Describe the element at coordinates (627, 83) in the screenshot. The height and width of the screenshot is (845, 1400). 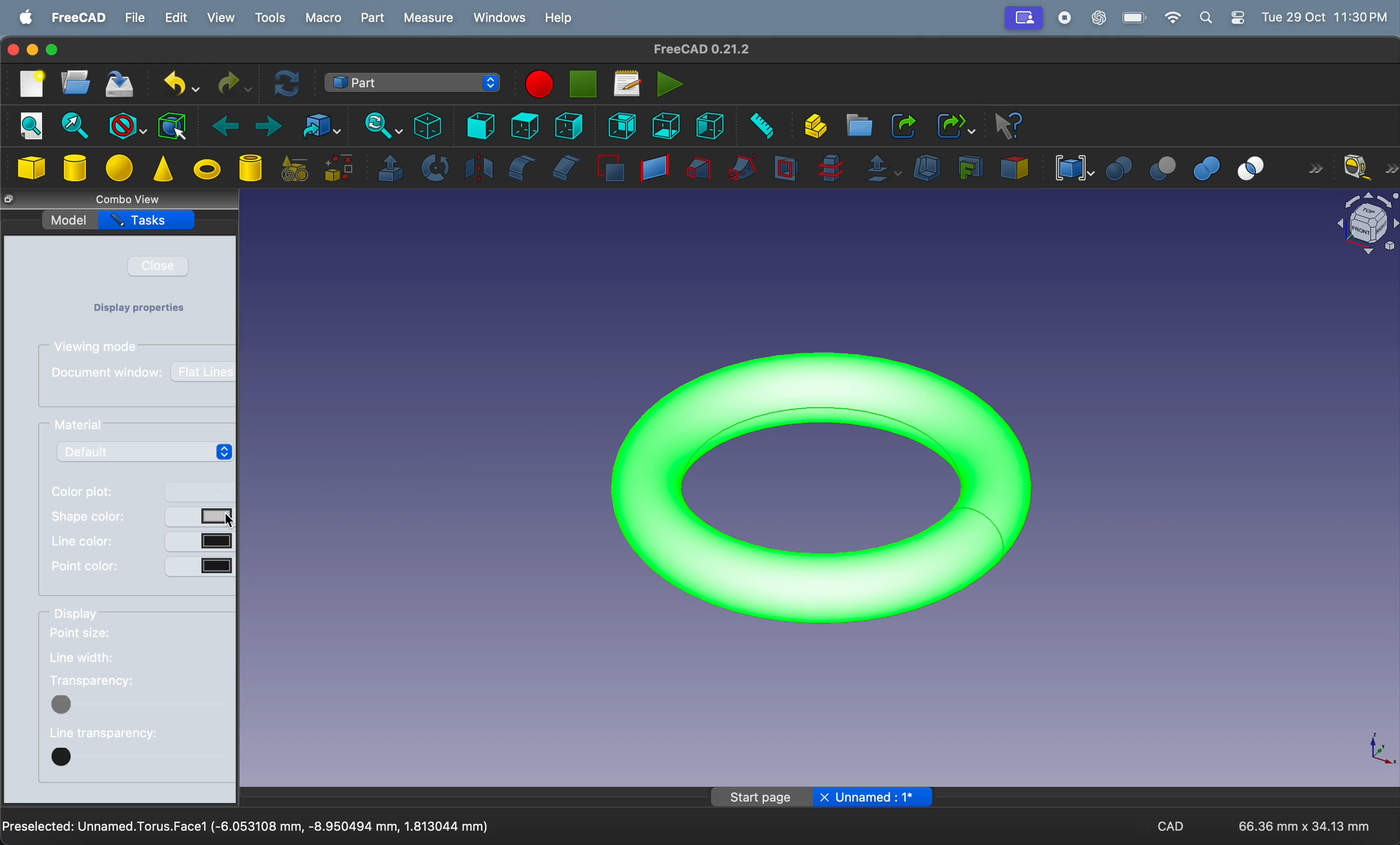
I see `marcos` at that location.